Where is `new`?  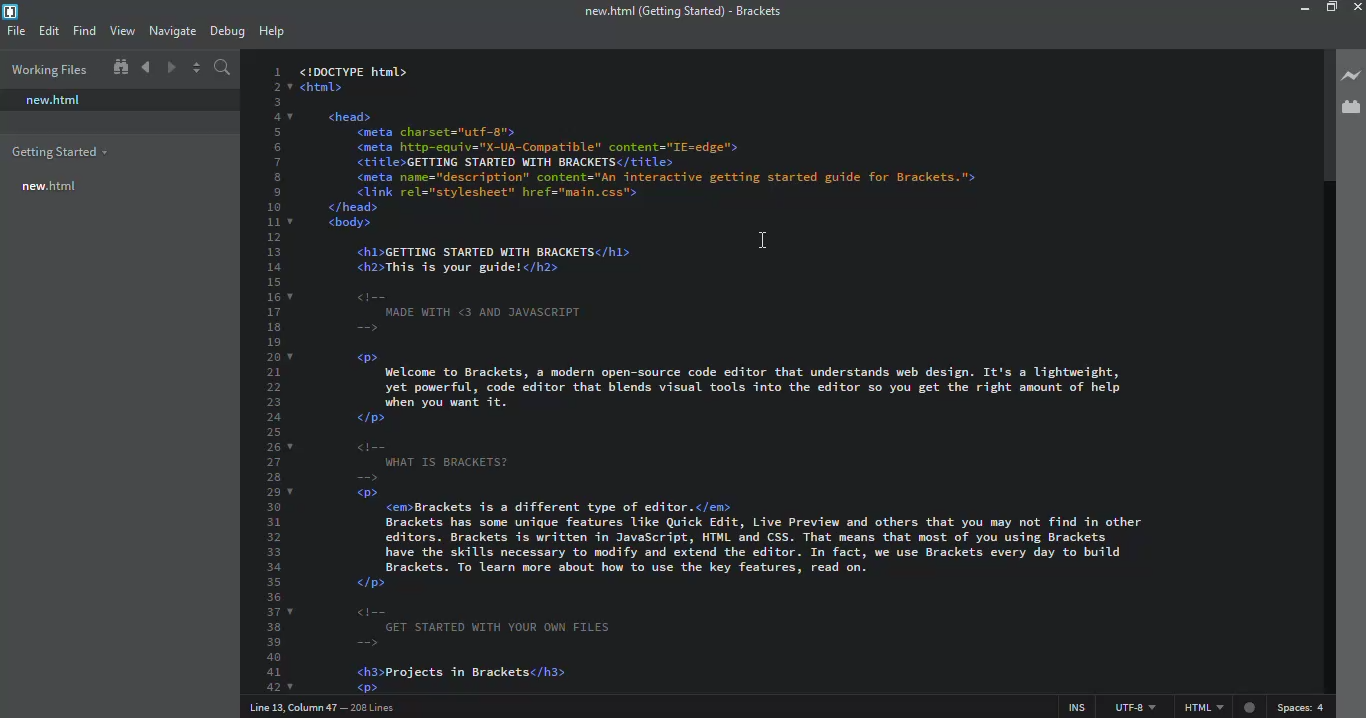
new is located at coordinates (56, 100).